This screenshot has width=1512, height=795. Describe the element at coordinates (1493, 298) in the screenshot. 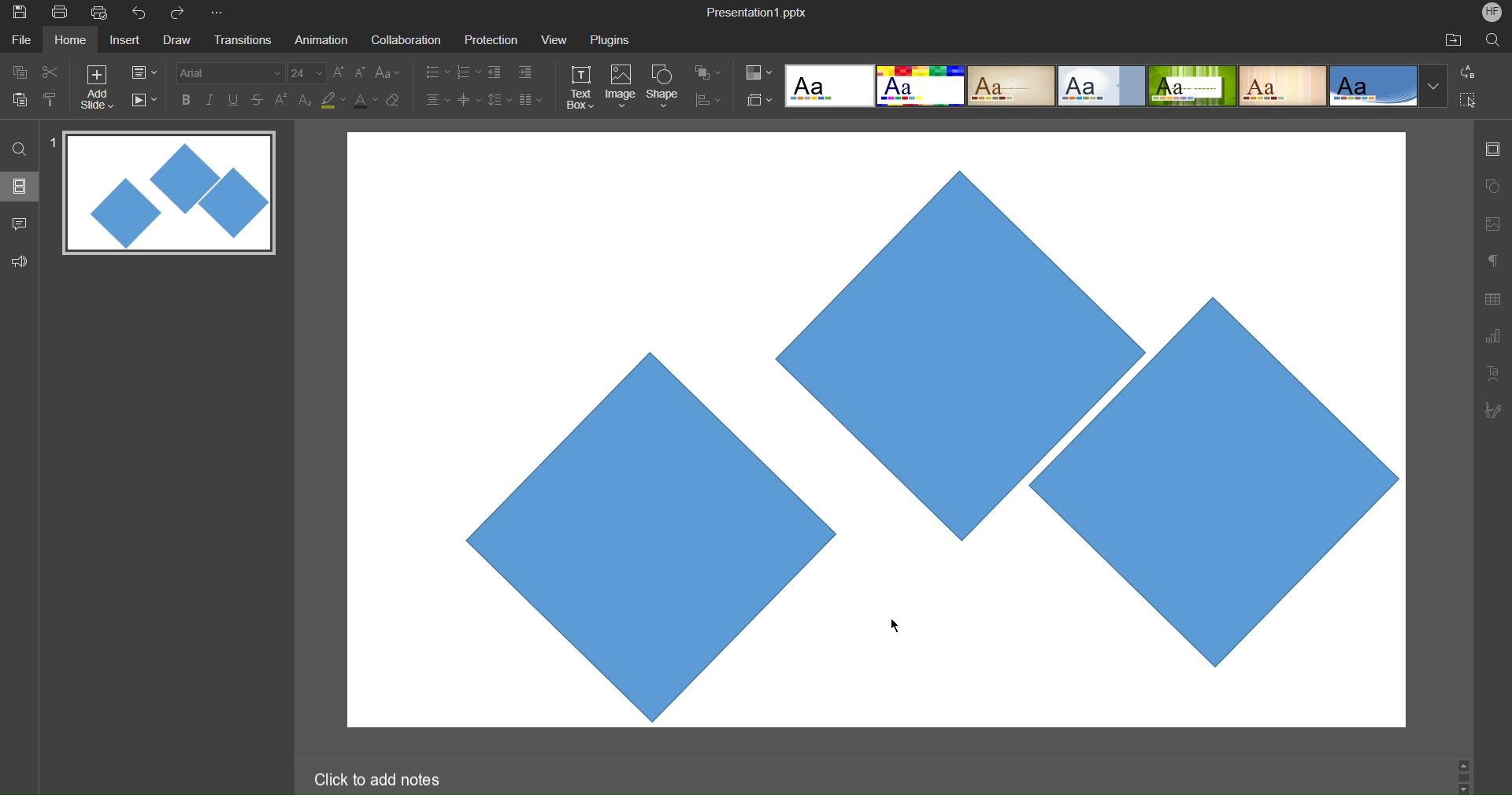

I see `Table` at that location.